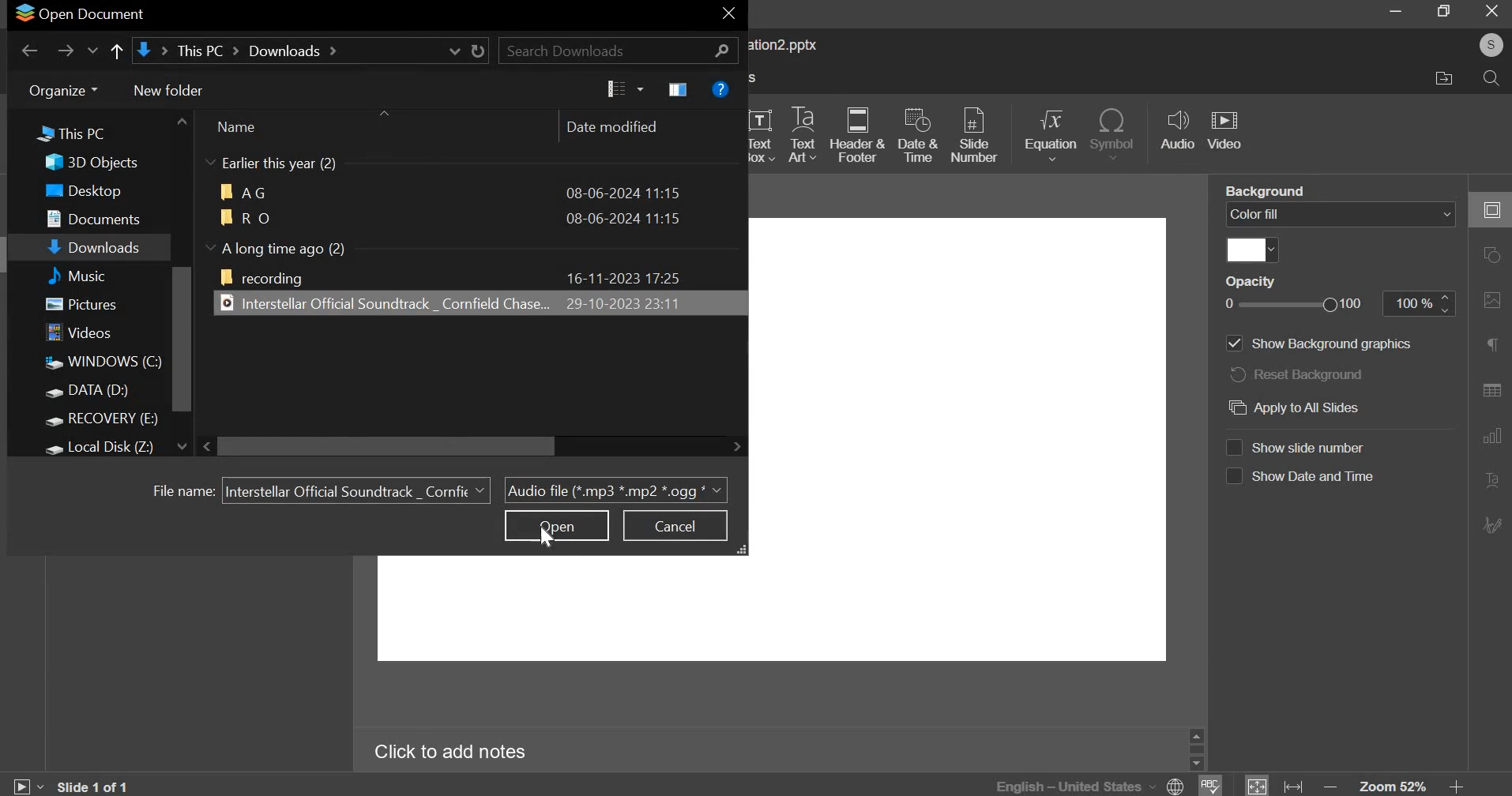 The width and height of the screenshot is (1512, 796). Describe the element at coordinates (1330, 786) in the screenshot. I see `decrease zoom` at that location.